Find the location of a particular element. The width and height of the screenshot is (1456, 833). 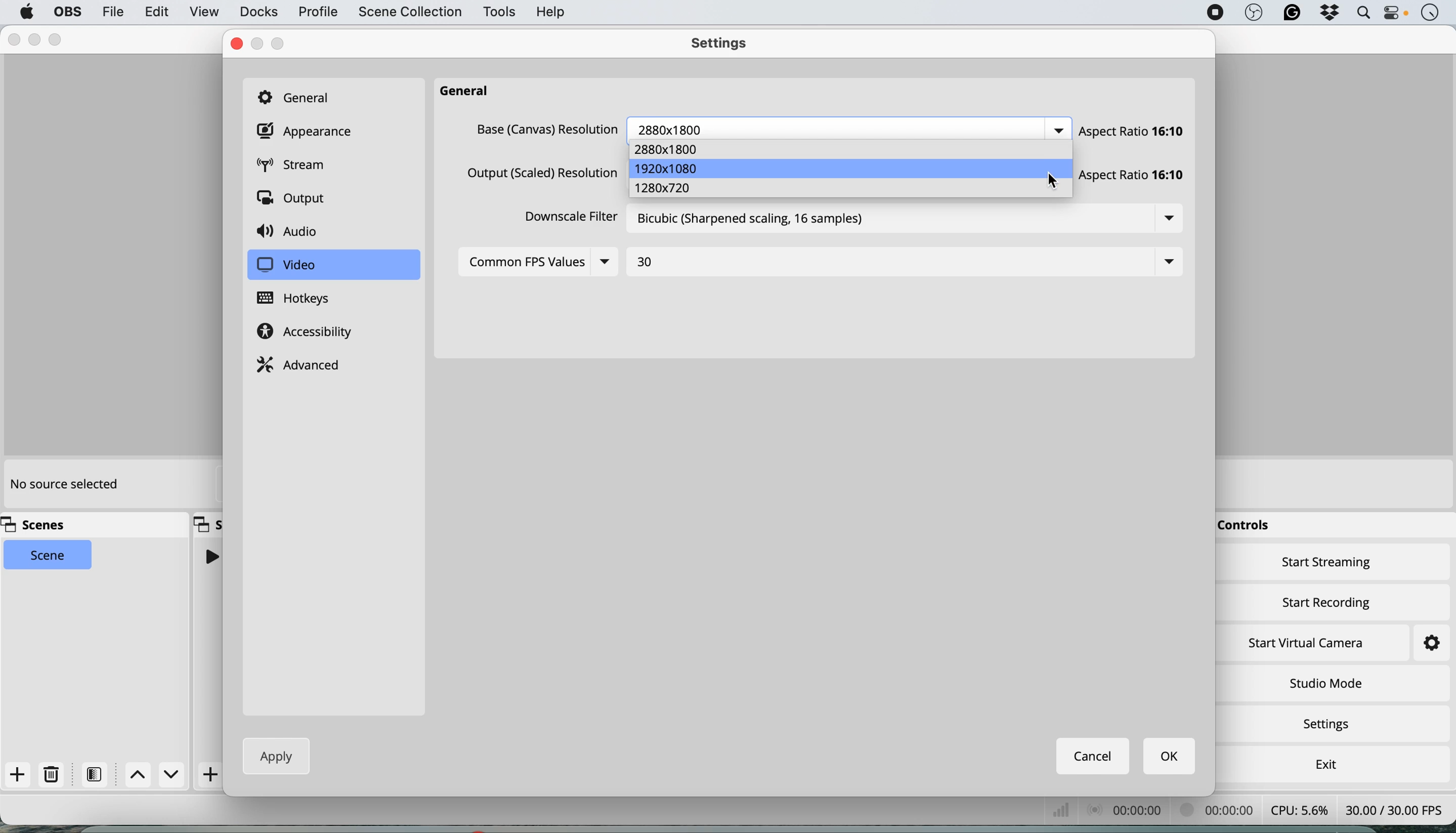

spotlight search is located at coordinates (1360, 13).